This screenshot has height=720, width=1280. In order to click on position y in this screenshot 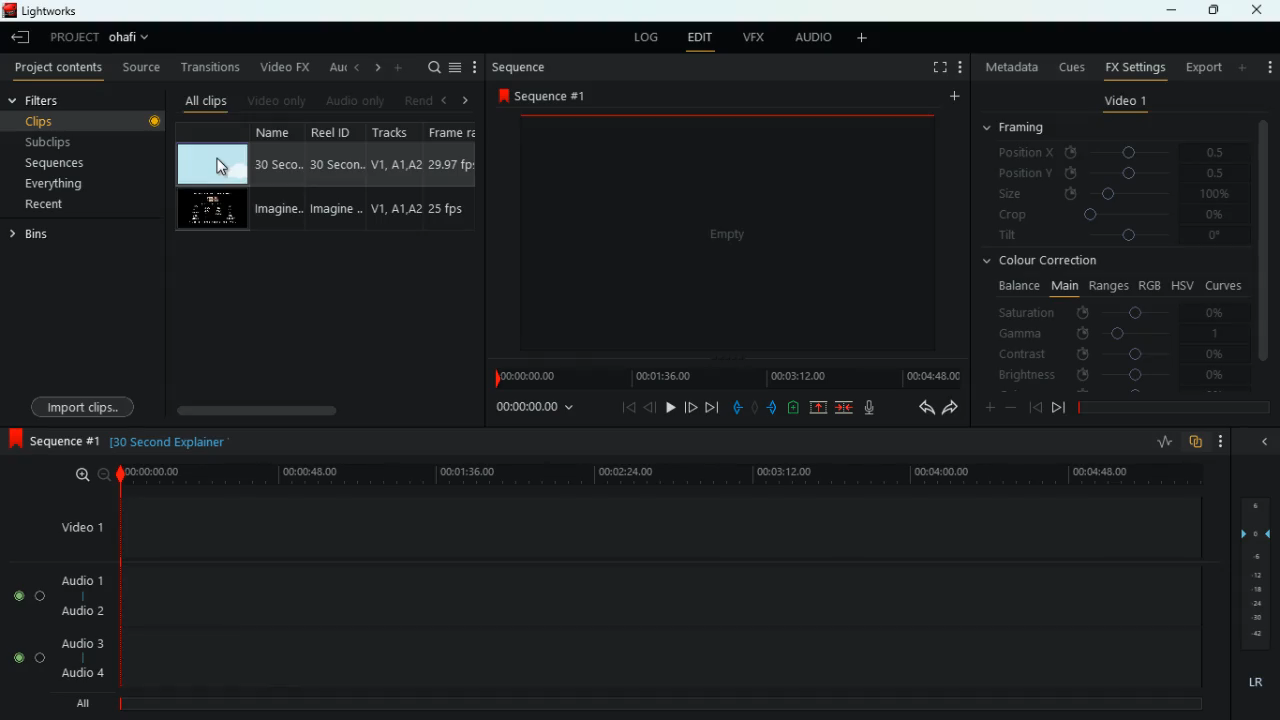, I will do `click(1117, 172)`.